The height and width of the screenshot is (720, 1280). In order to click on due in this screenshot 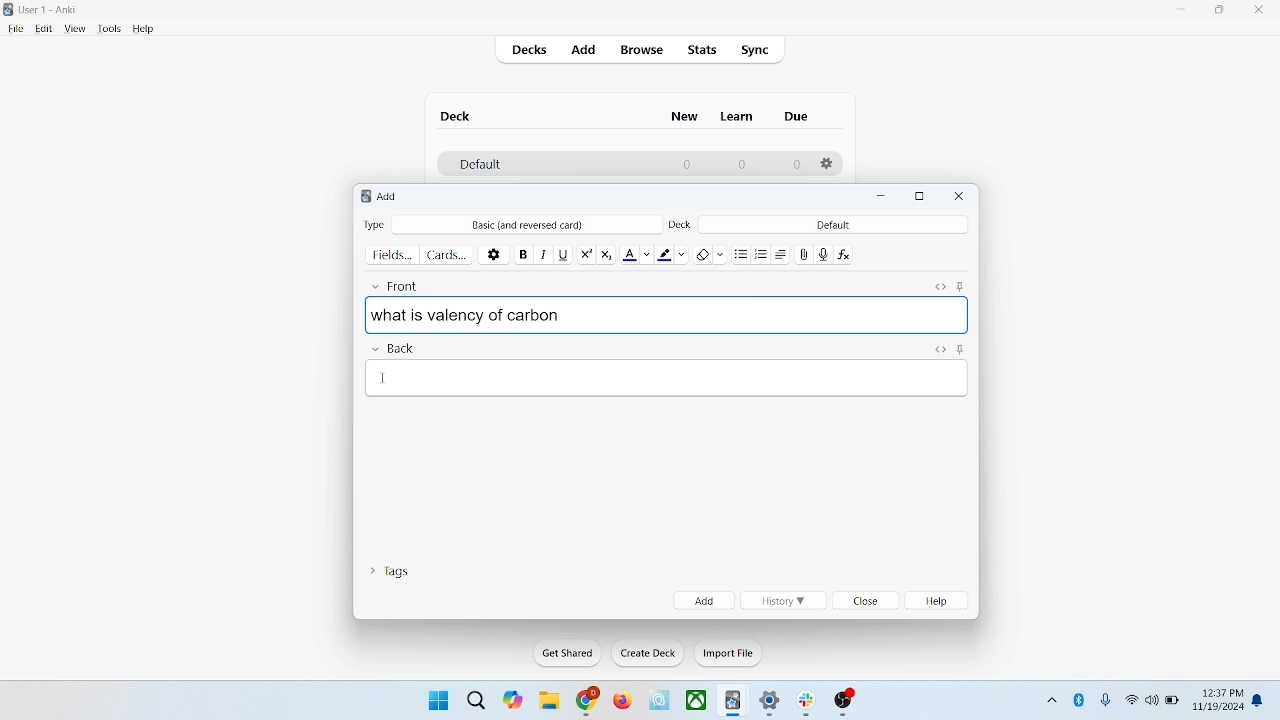, I will do `click(798, 117)`.